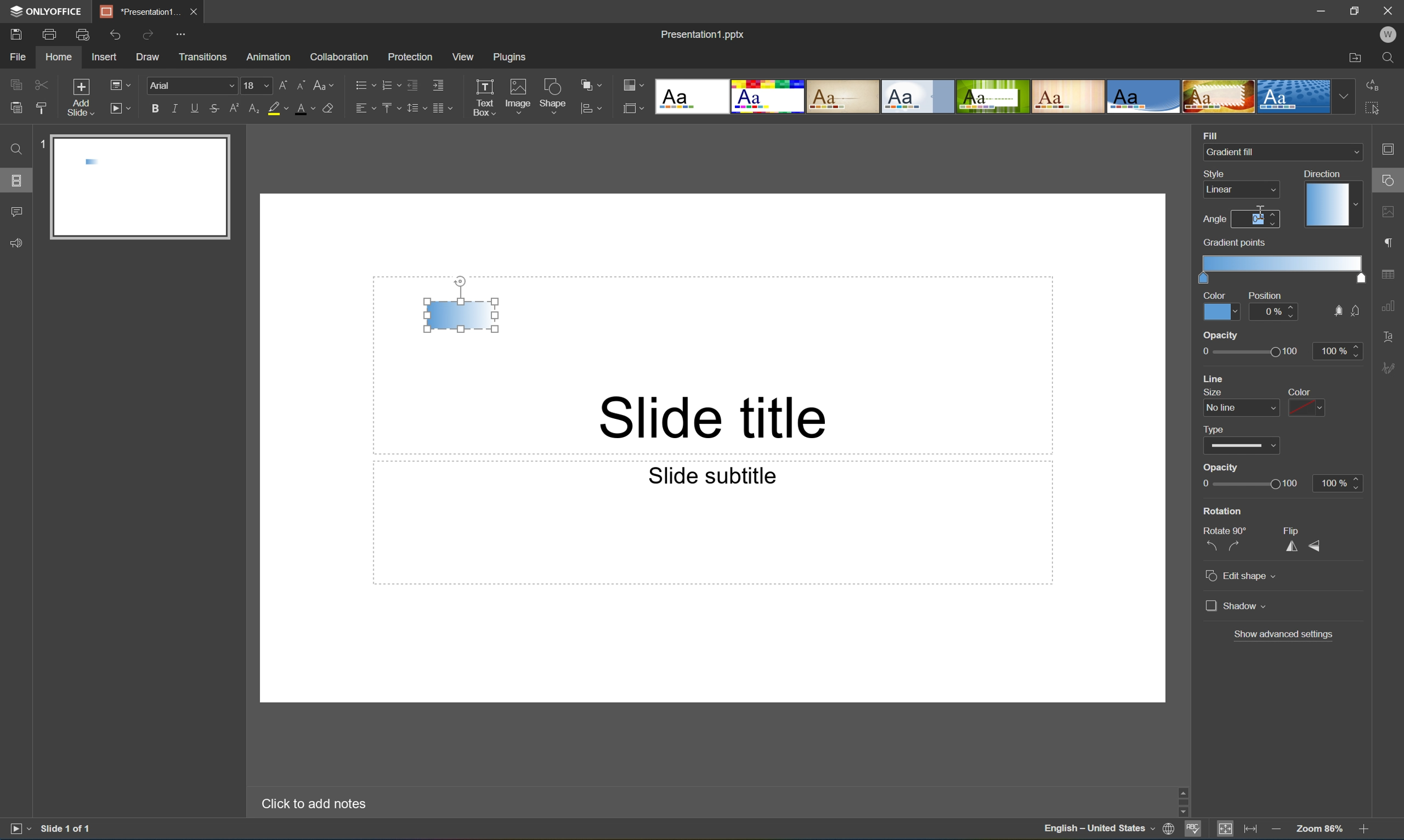 This screenshot has height=840, width=1404. What do you see at coordinates (389, 84) in the screenshot?
I see `Numbering` at bounding box center [389, 84].